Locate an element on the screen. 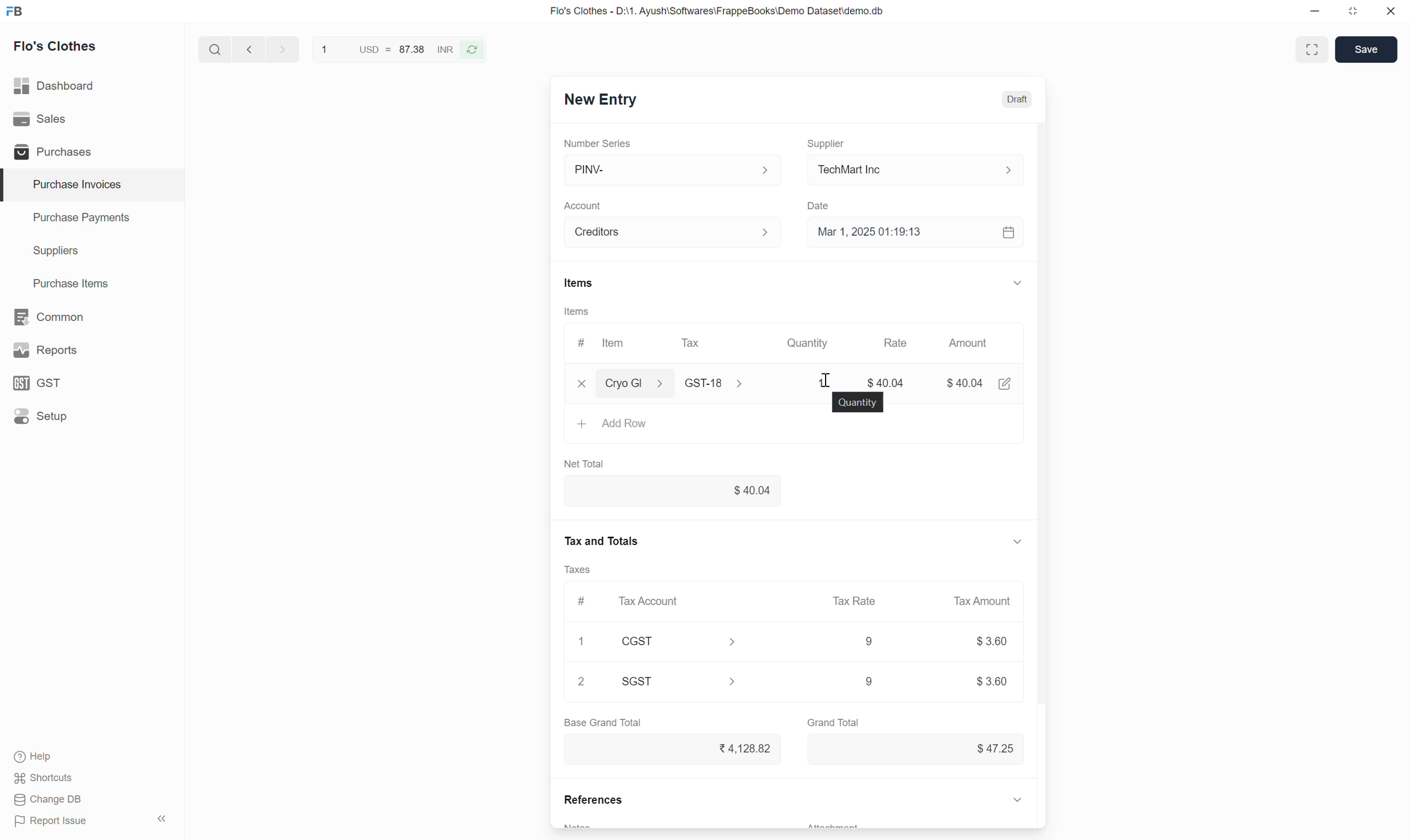 The height and width of the screenshot is (840, 1410). 1 is located at coordinates (584, 640).